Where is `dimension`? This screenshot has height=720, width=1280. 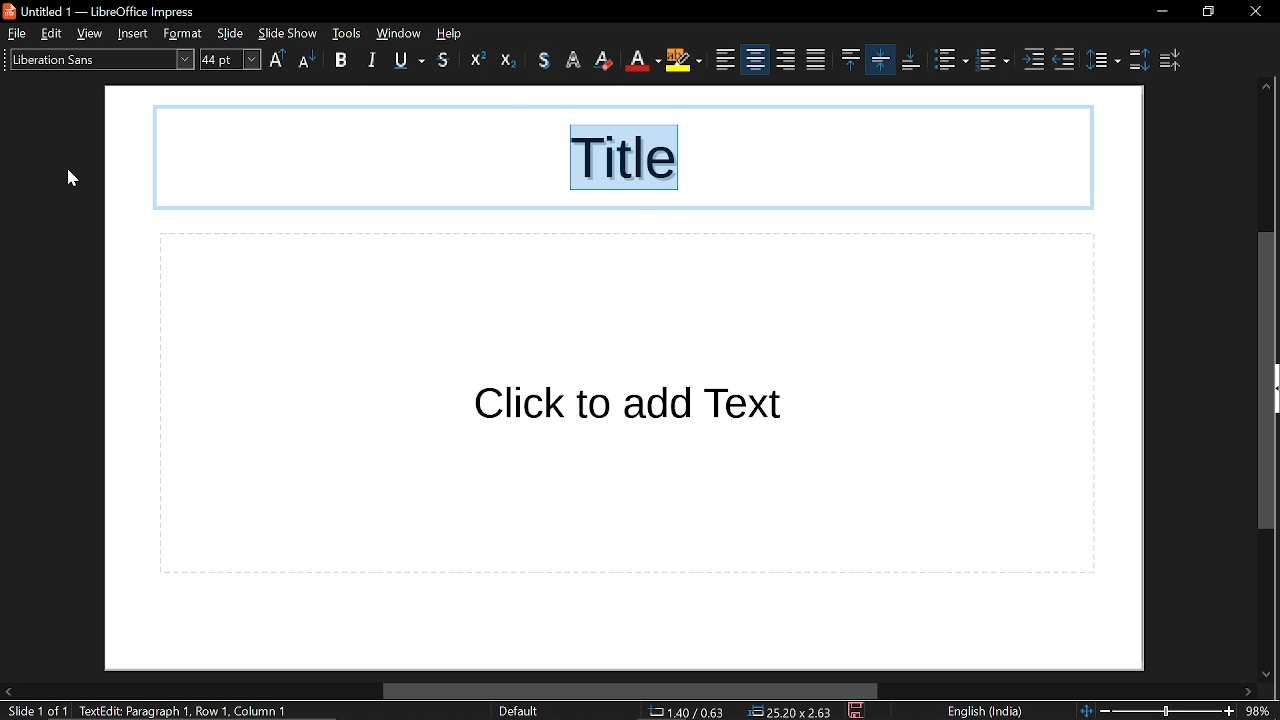
dimension is located at coordinates (791, 712).